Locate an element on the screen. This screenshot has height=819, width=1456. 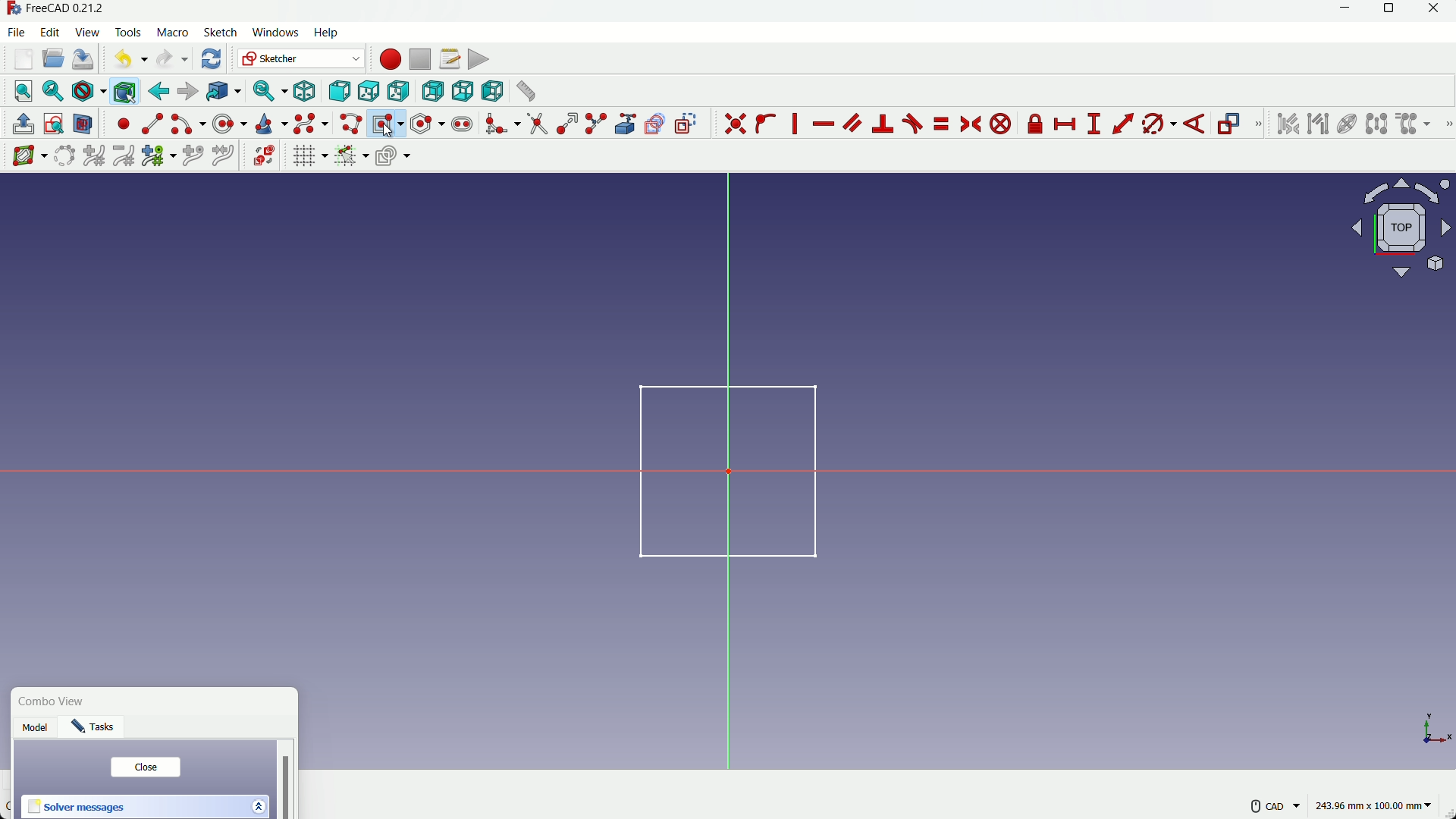
configure rendering order is located at coordinates (395, 155).